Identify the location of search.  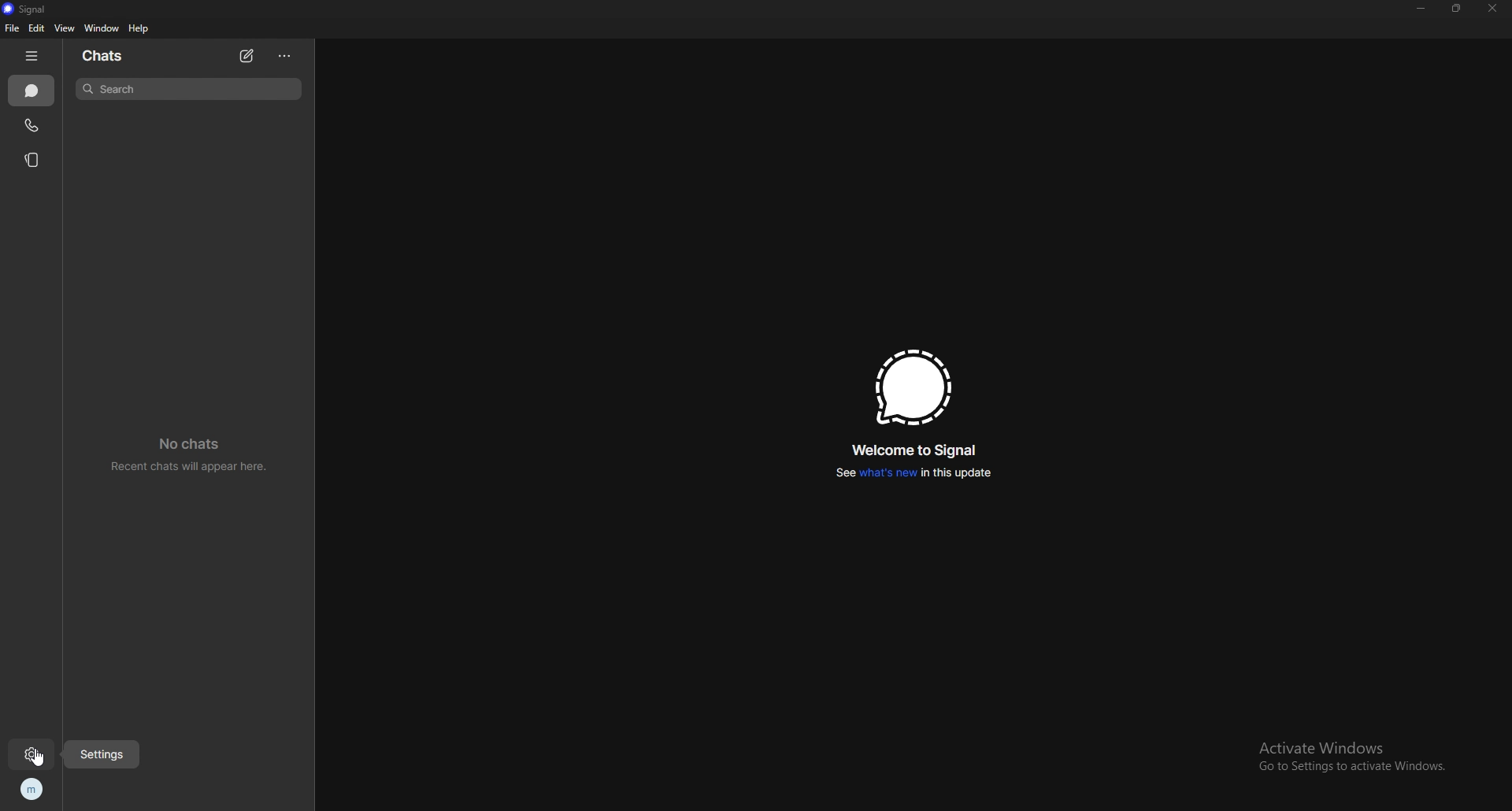
(187, 88).